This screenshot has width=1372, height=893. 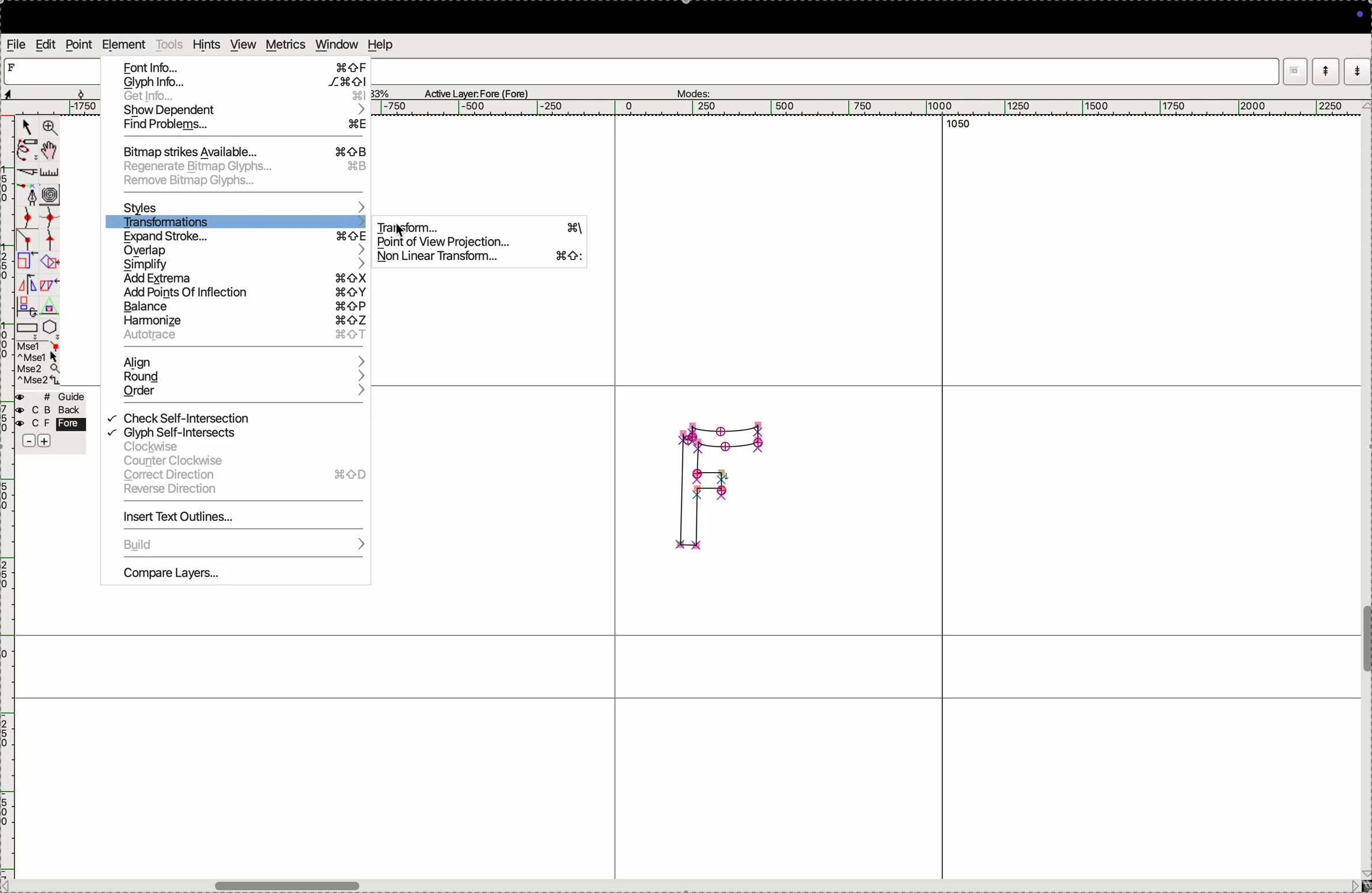 What do you see at coordinates (51, 150) in the screenshot?
I see `toggle` at bounding box center [51, 150].